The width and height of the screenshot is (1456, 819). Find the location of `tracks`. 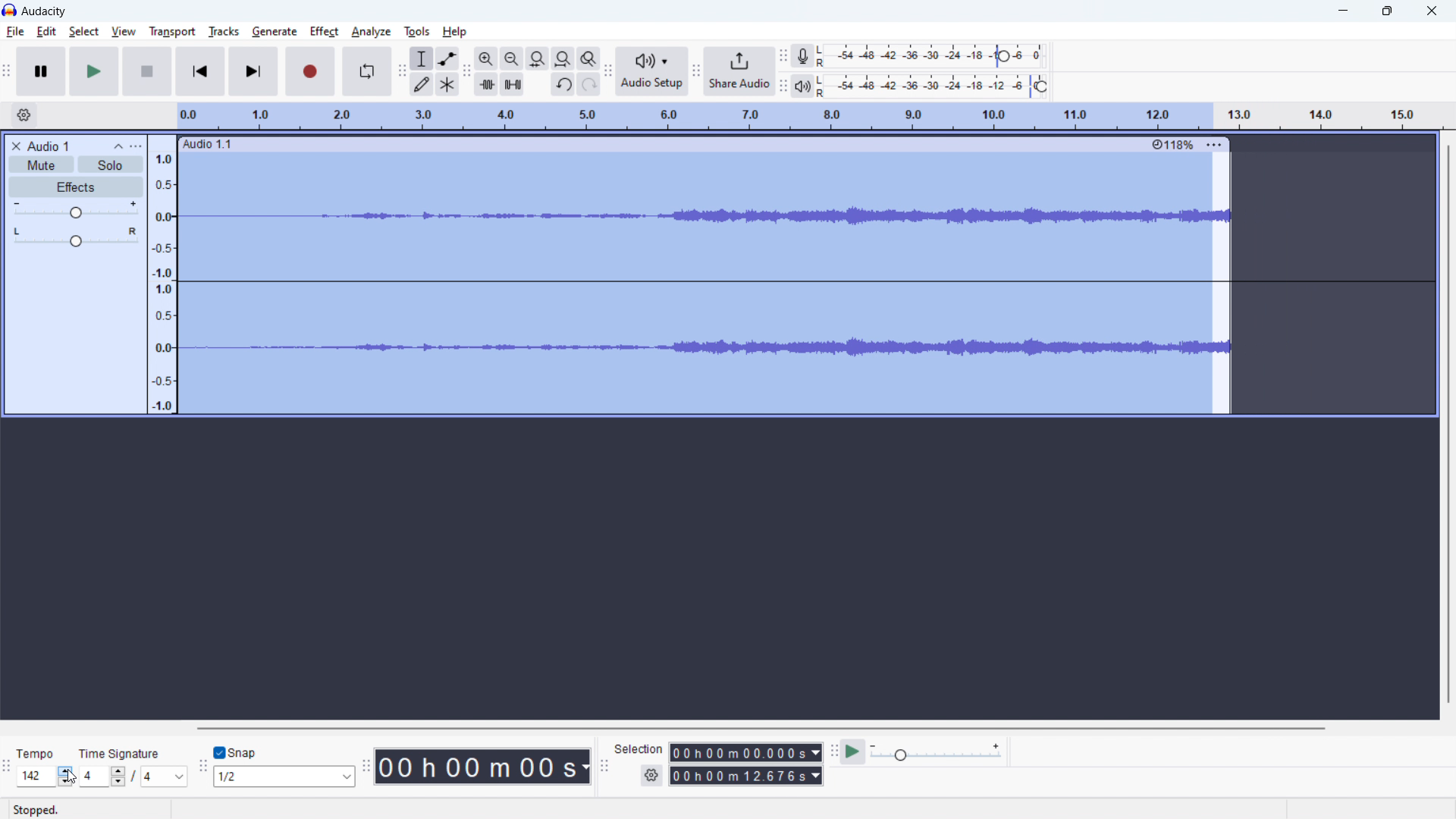

tracks is located at coordinates (223, 32).